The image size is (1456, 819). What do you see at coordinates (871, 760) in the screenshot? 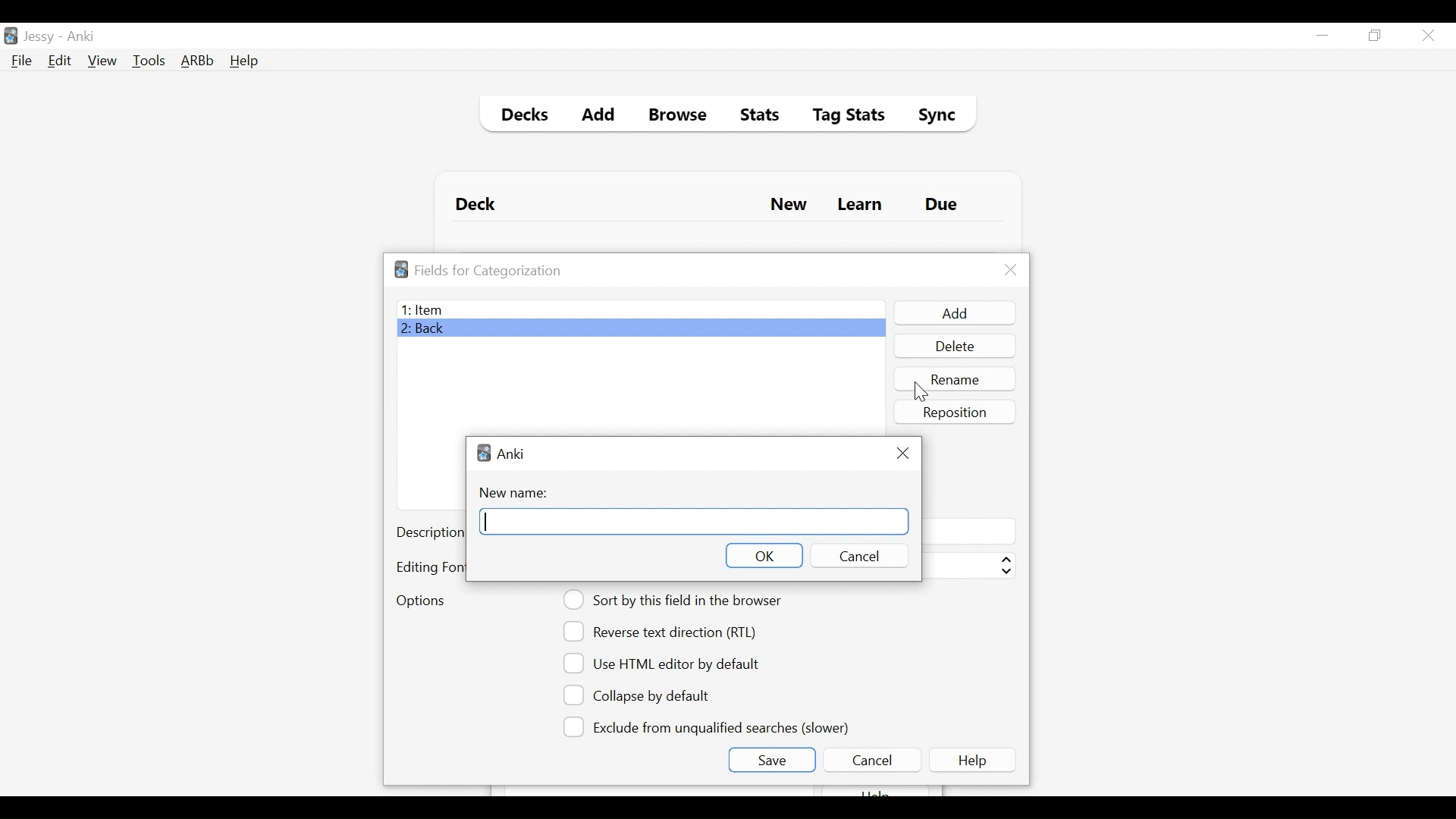
I see `Cancel` at bounding box center [871, 760].